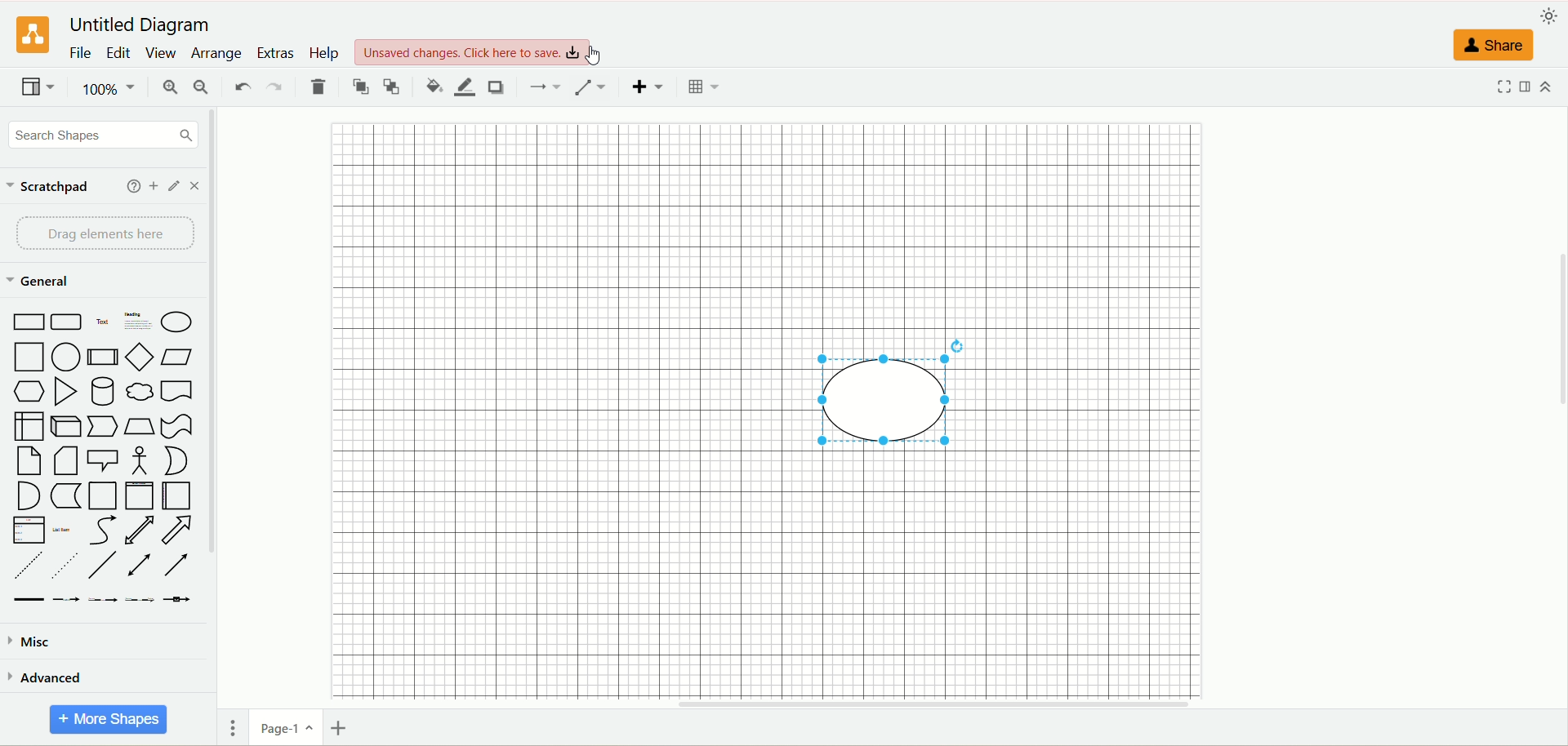 The height and width of the screenshot is (746, 1568). What do you see at coordinates (29, 531) in the screenshot?
I see `list` at bounding box center [29, 531].